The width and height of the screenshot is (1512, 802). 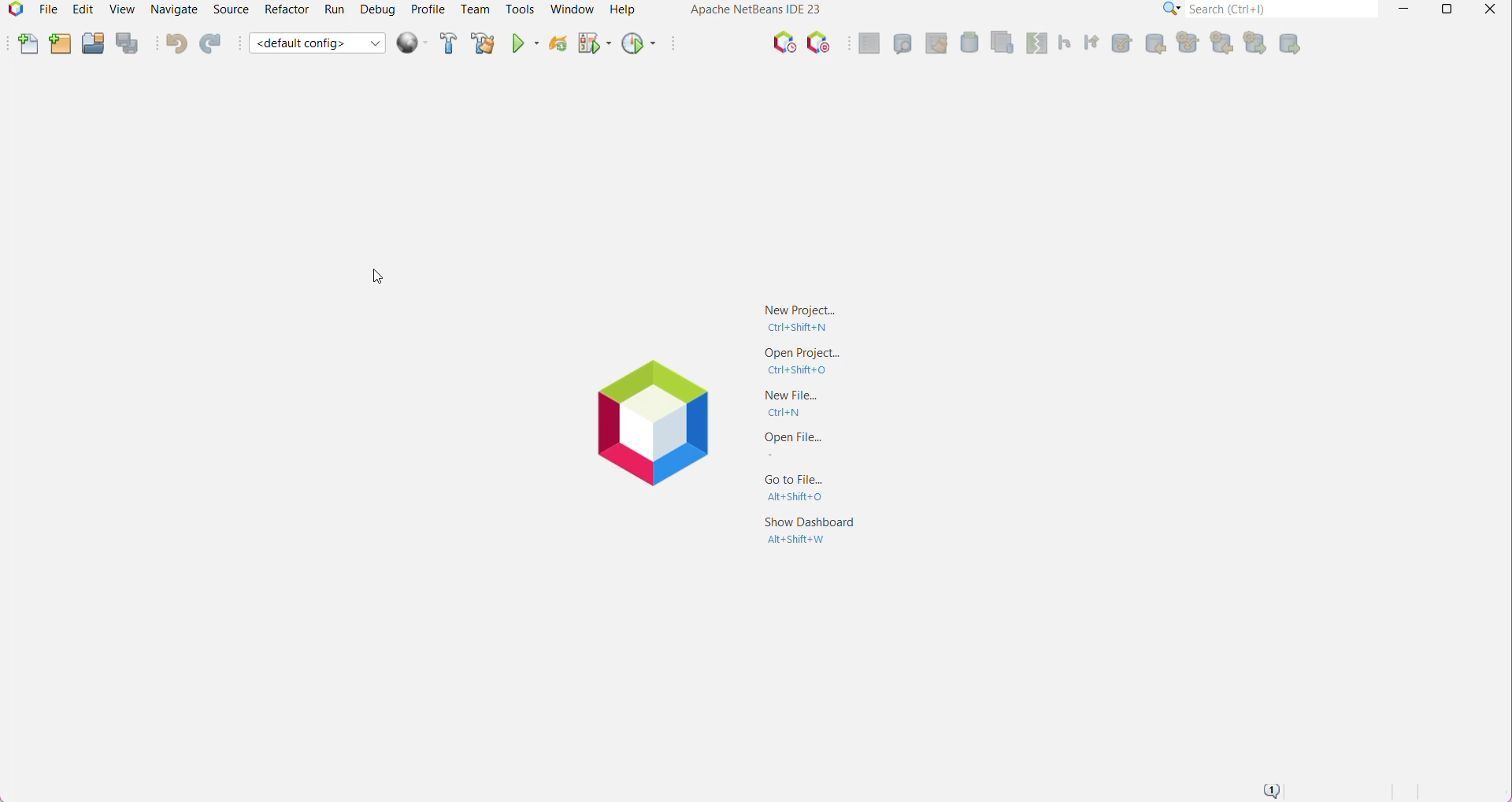 I want to click on Save All, so click(x=128, y=43).